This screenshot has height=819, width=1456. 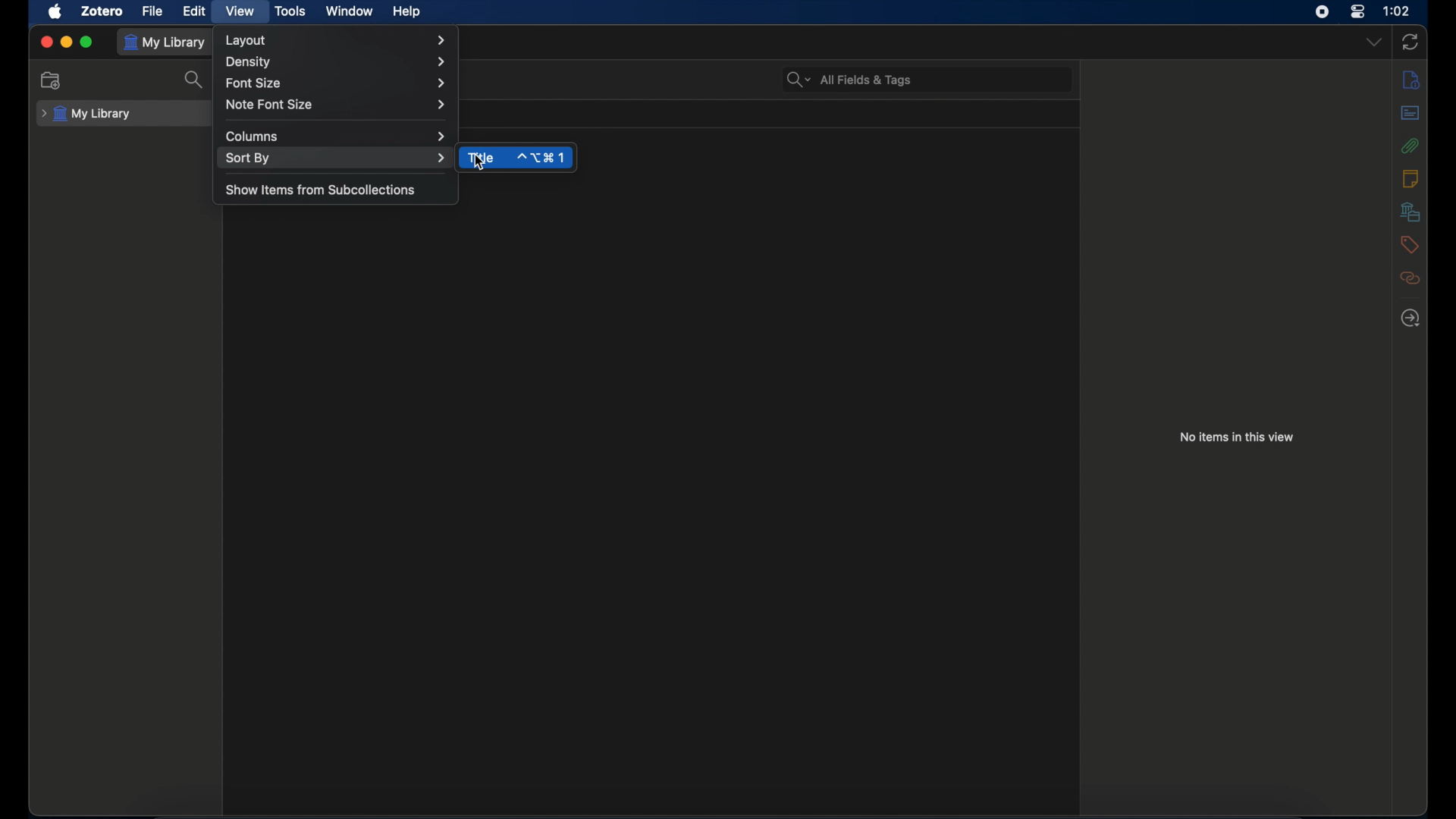 What do you see at coordinates (67, 42) in the screenshot?
I see `minimize` at bounding box center [67, 42].